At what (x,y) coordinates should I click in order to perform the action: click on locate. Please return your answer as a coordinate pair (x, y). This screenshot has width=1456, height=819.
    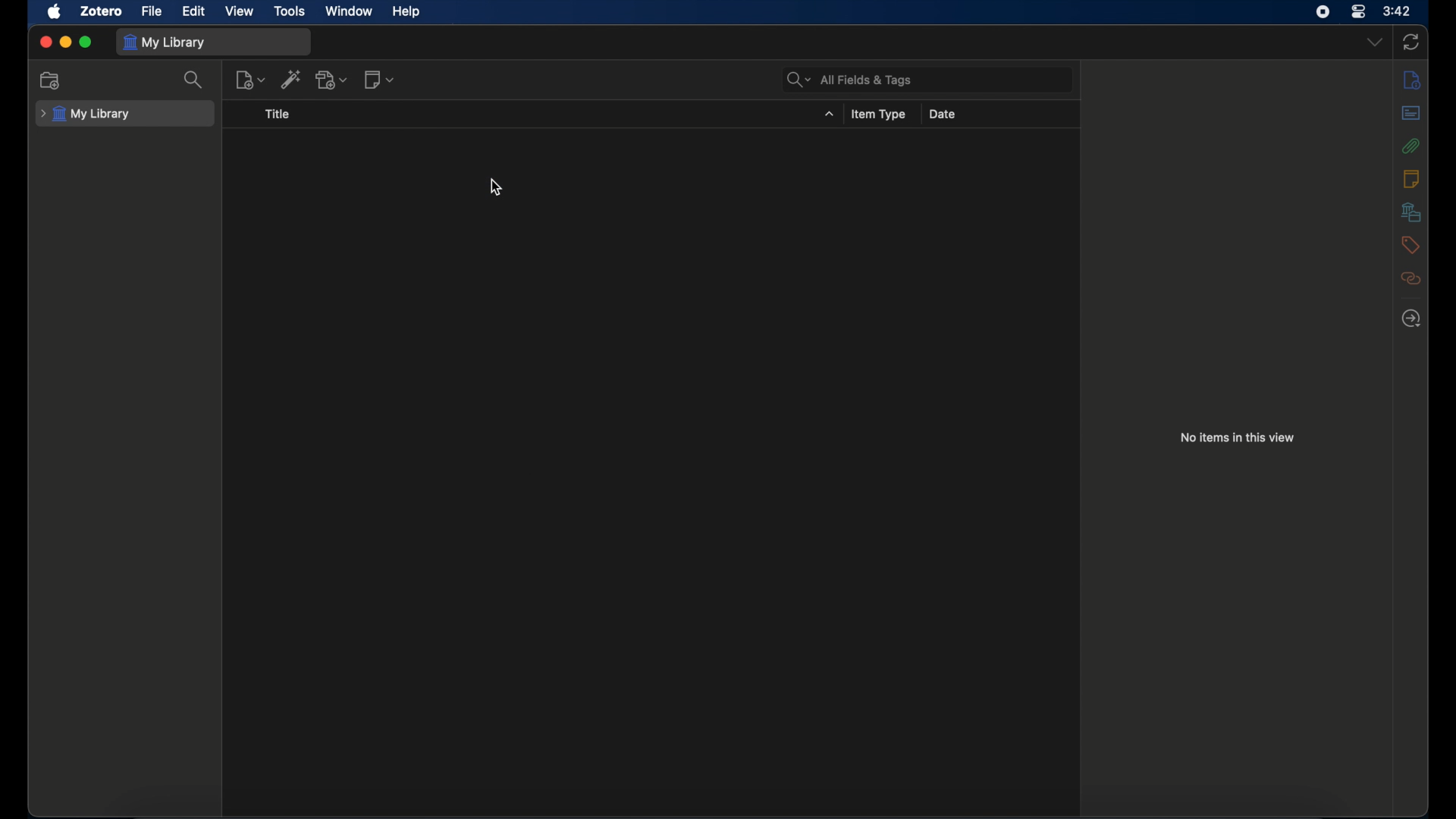
    Looking at the image, I should click on (1410, 317).